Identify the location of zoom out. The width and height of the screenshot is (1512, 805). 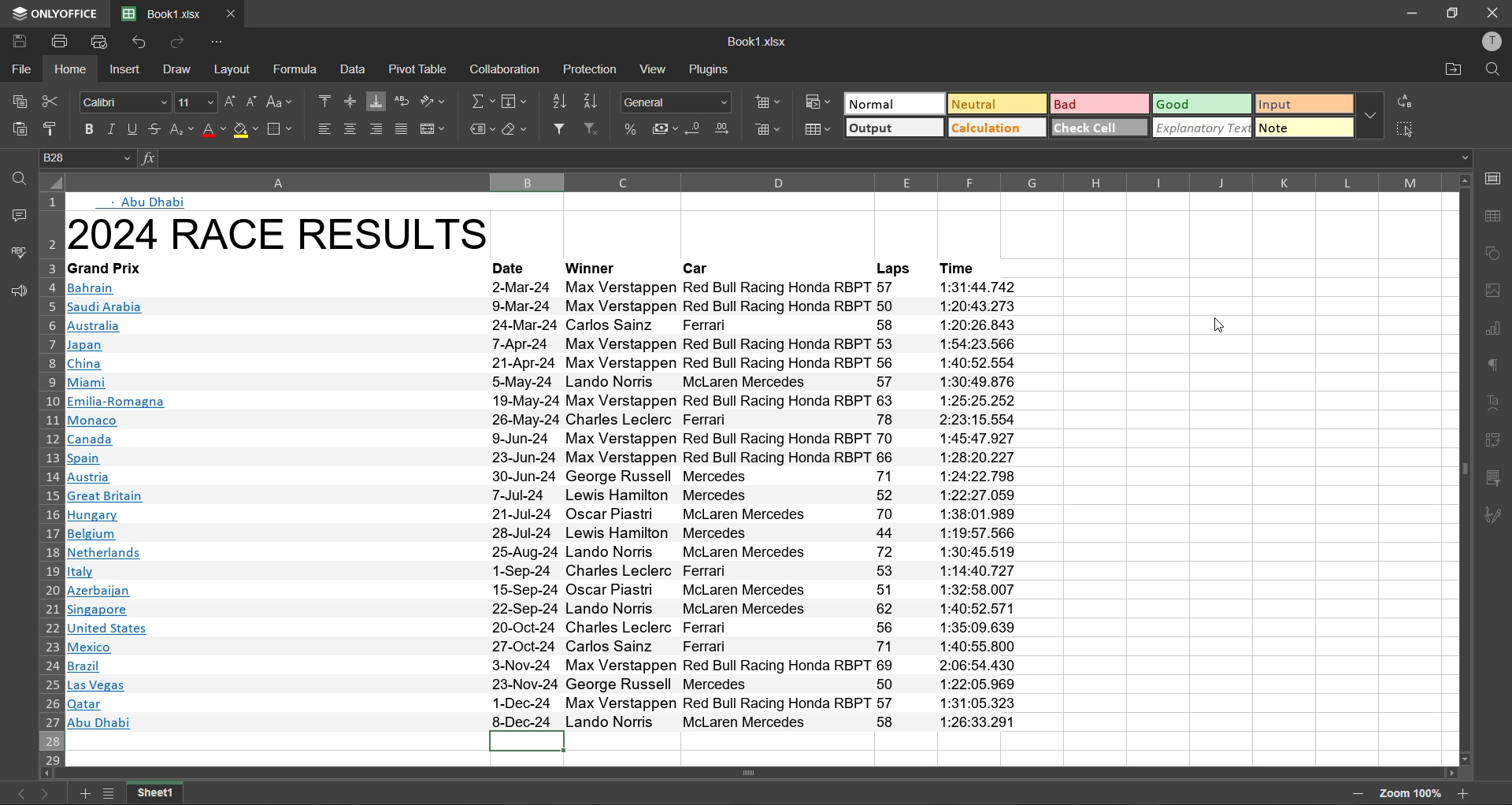
(1360, 795).